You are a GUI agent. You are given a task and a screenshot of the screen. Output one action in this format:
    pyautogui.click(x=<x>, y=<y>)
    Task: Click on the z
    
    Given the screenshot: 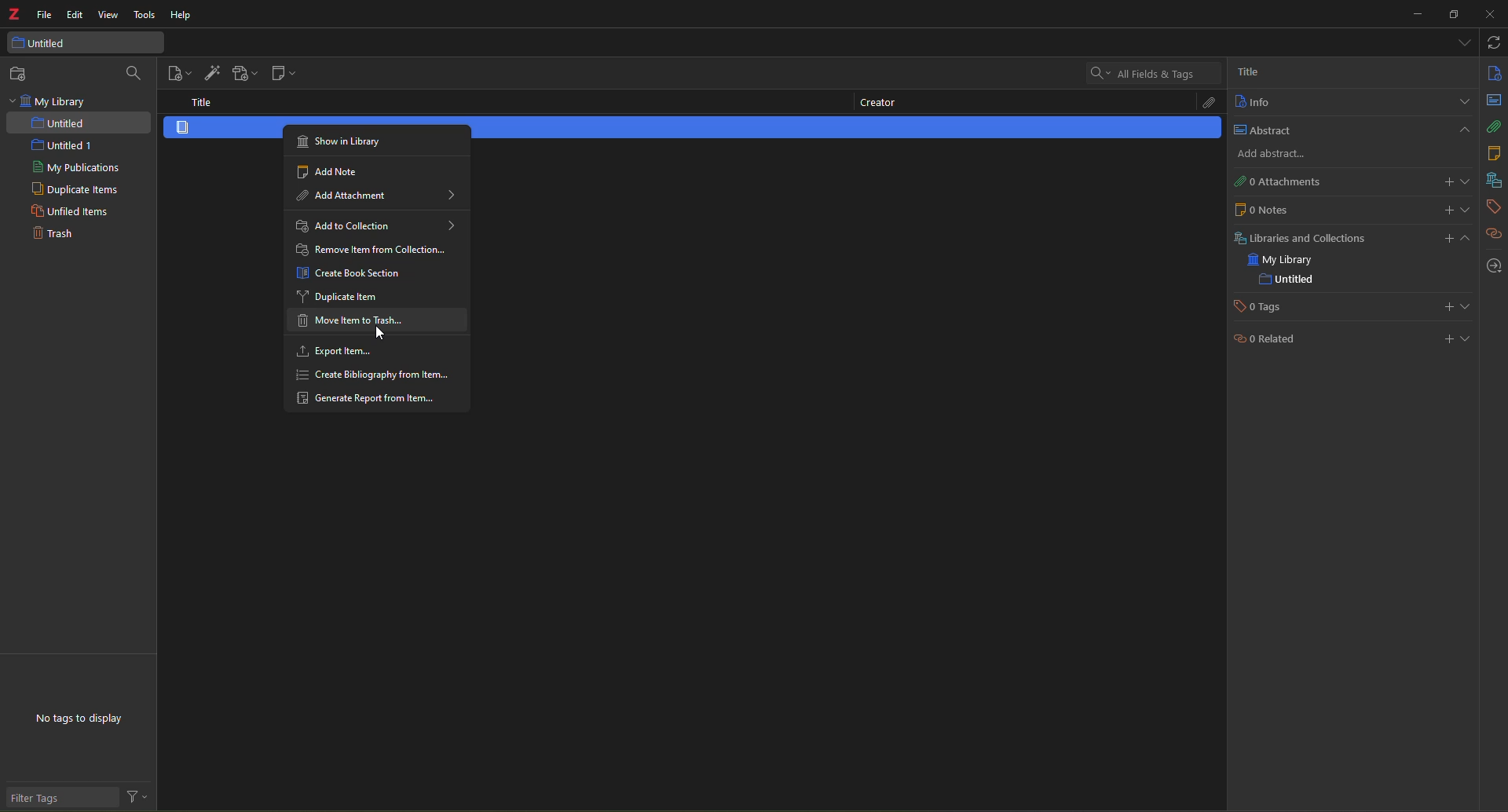 What is the action you would take?
    pyautogui.click(x=14, y=16)
    